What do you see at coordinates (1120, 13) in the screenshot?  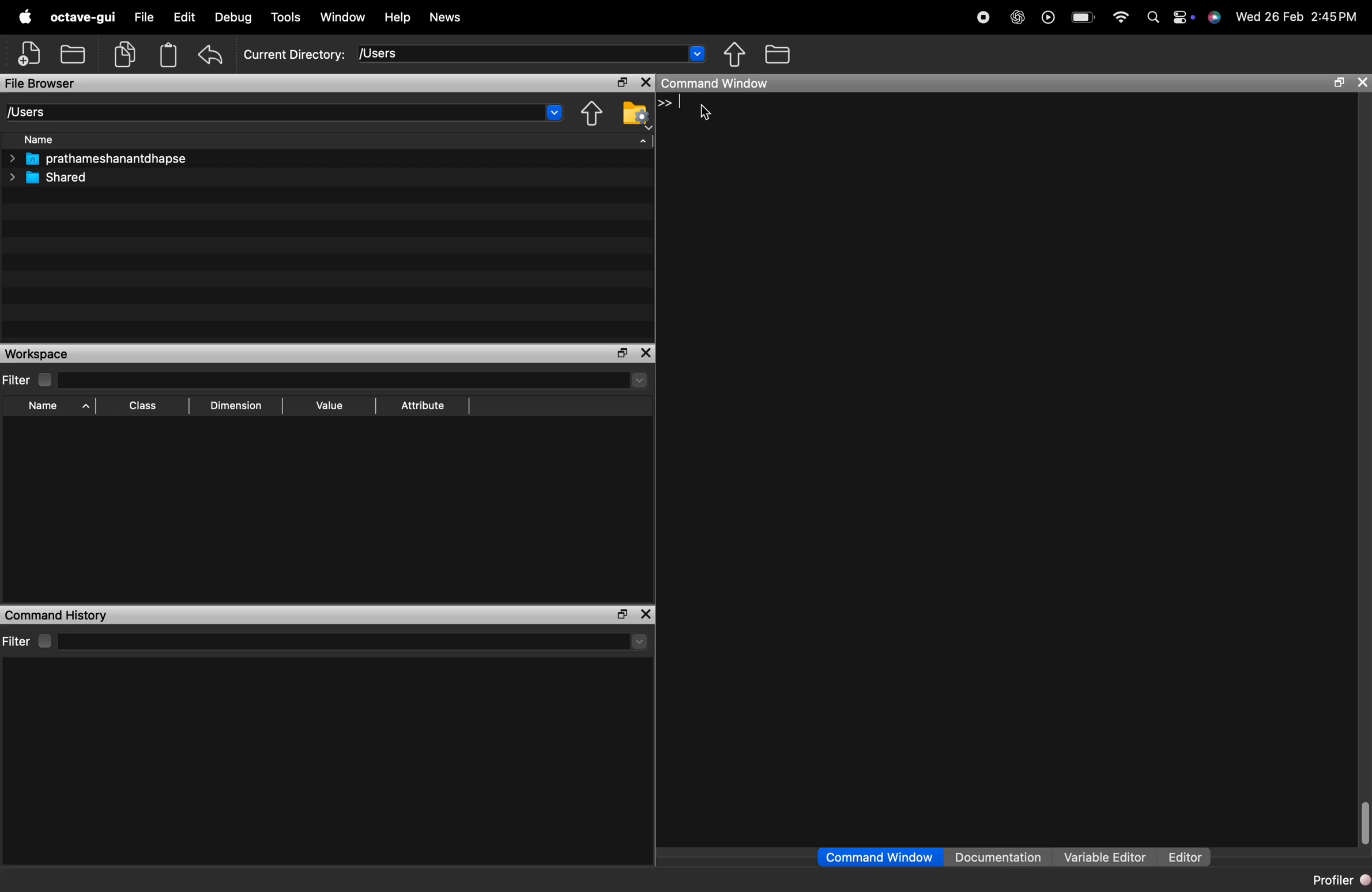 I see `wifi` at bounding box center [1120, 13].